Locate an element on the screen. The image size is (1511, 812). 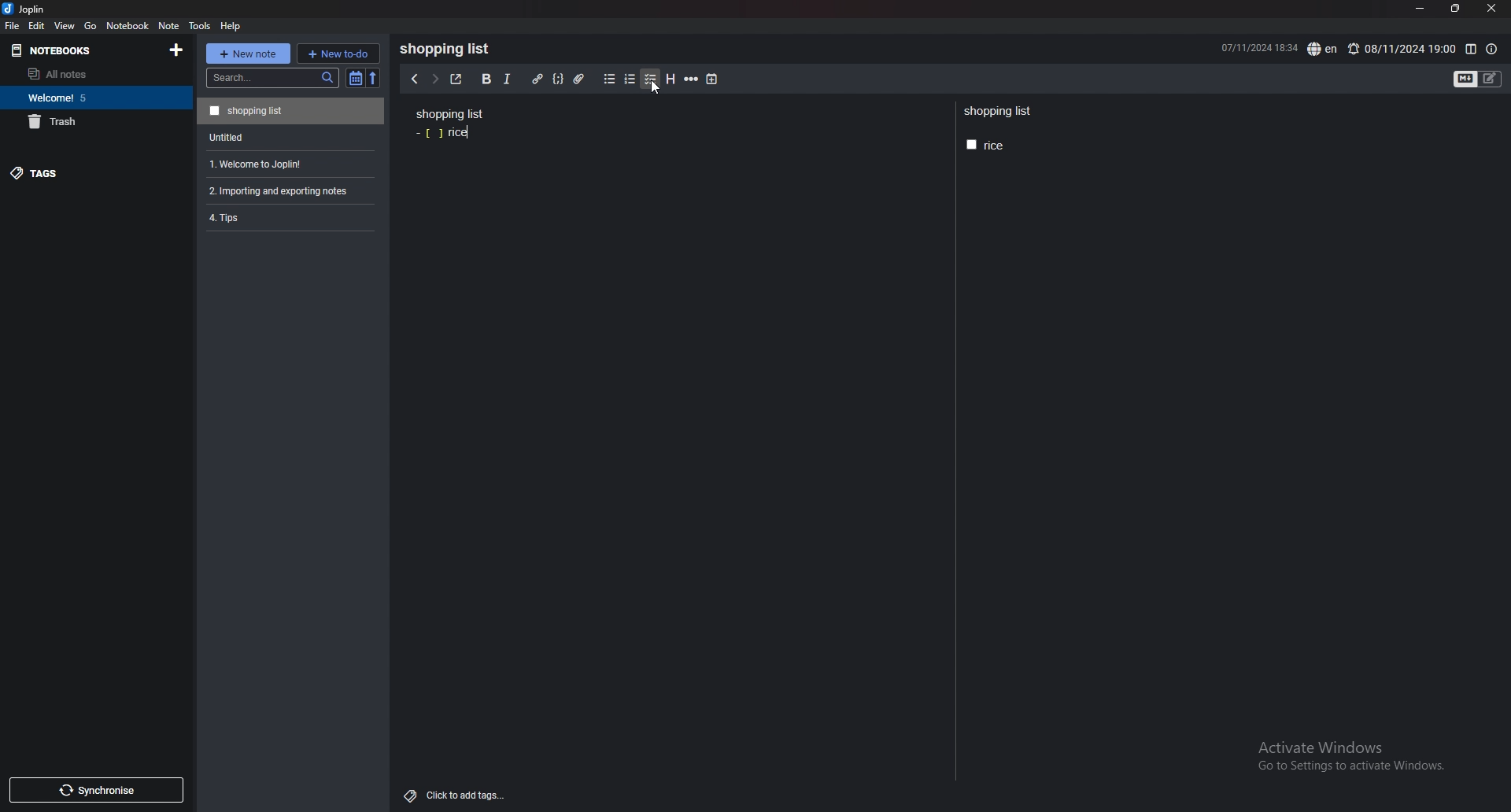
toggle editors is located at coordinates (1478, 79).